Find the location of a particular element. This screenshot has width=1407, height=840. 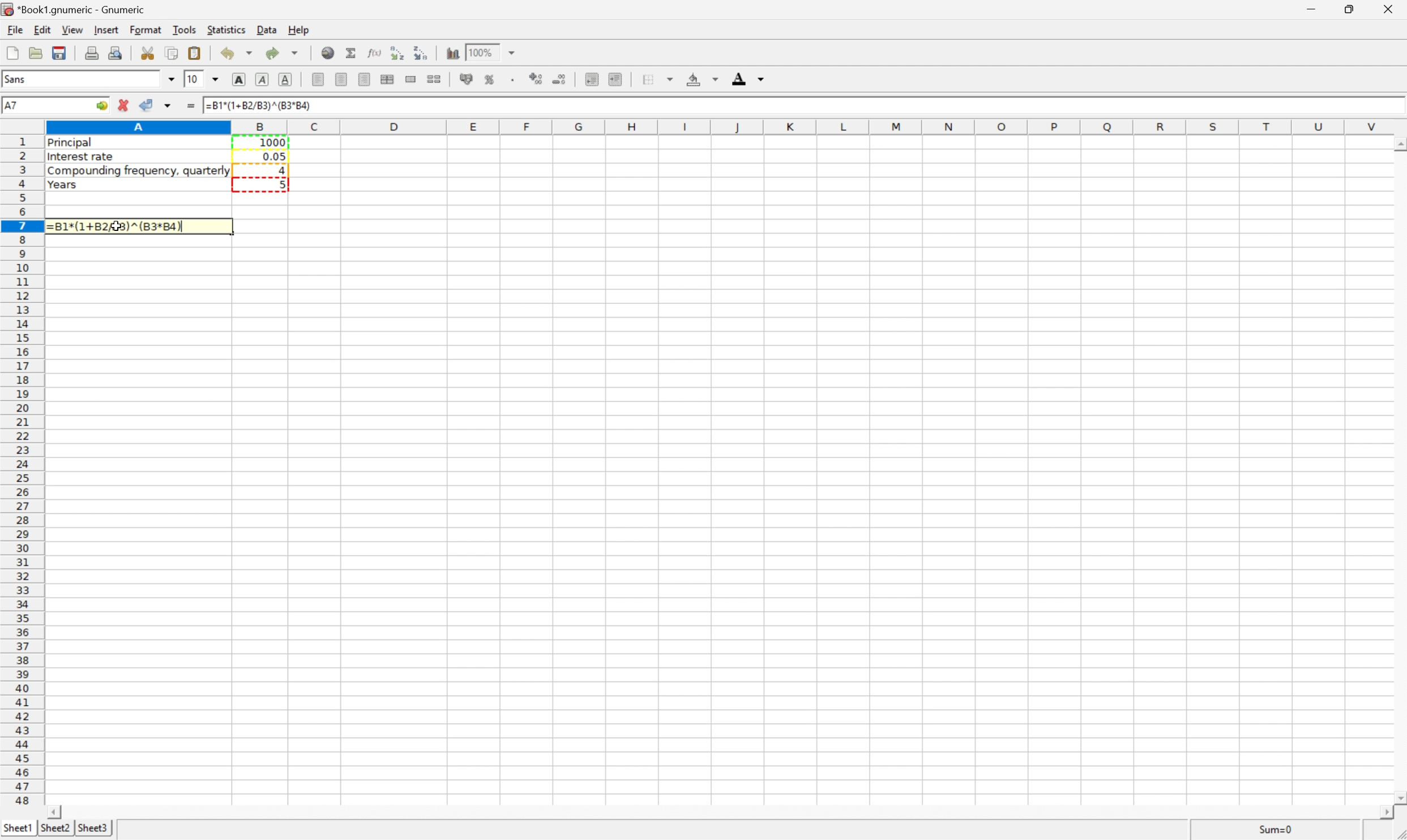

accept changes across selection is located at coordinates (168, 105).